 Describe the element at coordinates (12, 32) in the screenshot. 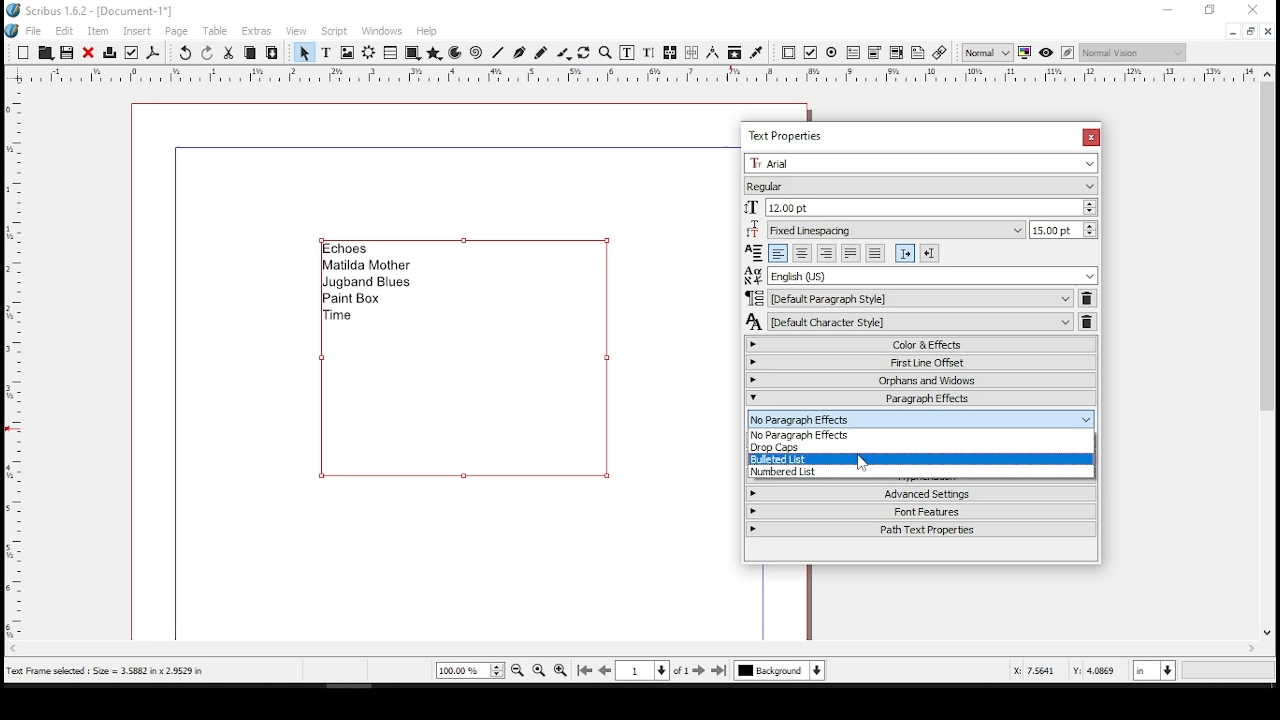

I see `logo` at that location.